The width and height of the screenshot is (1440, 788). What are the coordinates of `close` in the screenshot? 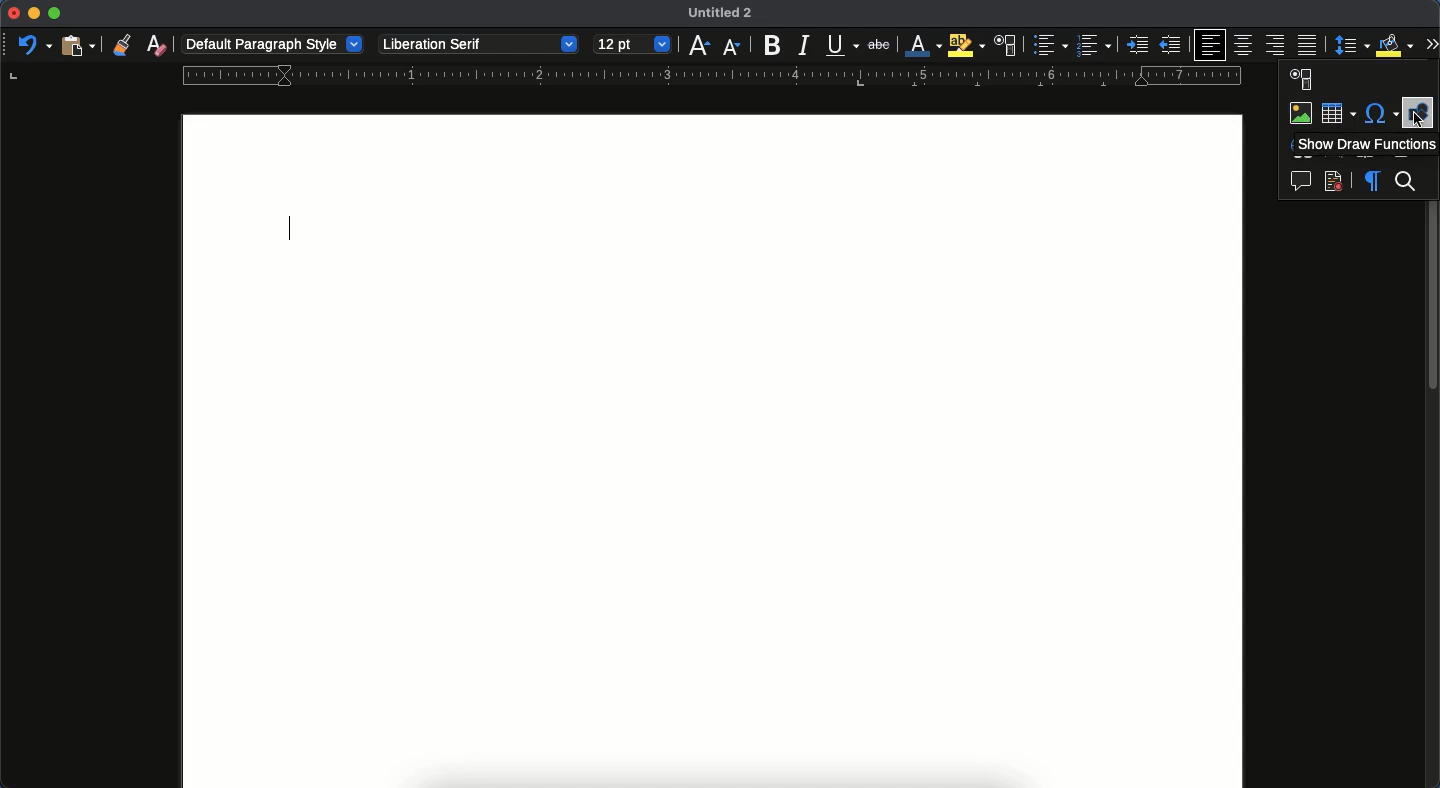 It's located at (13, 13).